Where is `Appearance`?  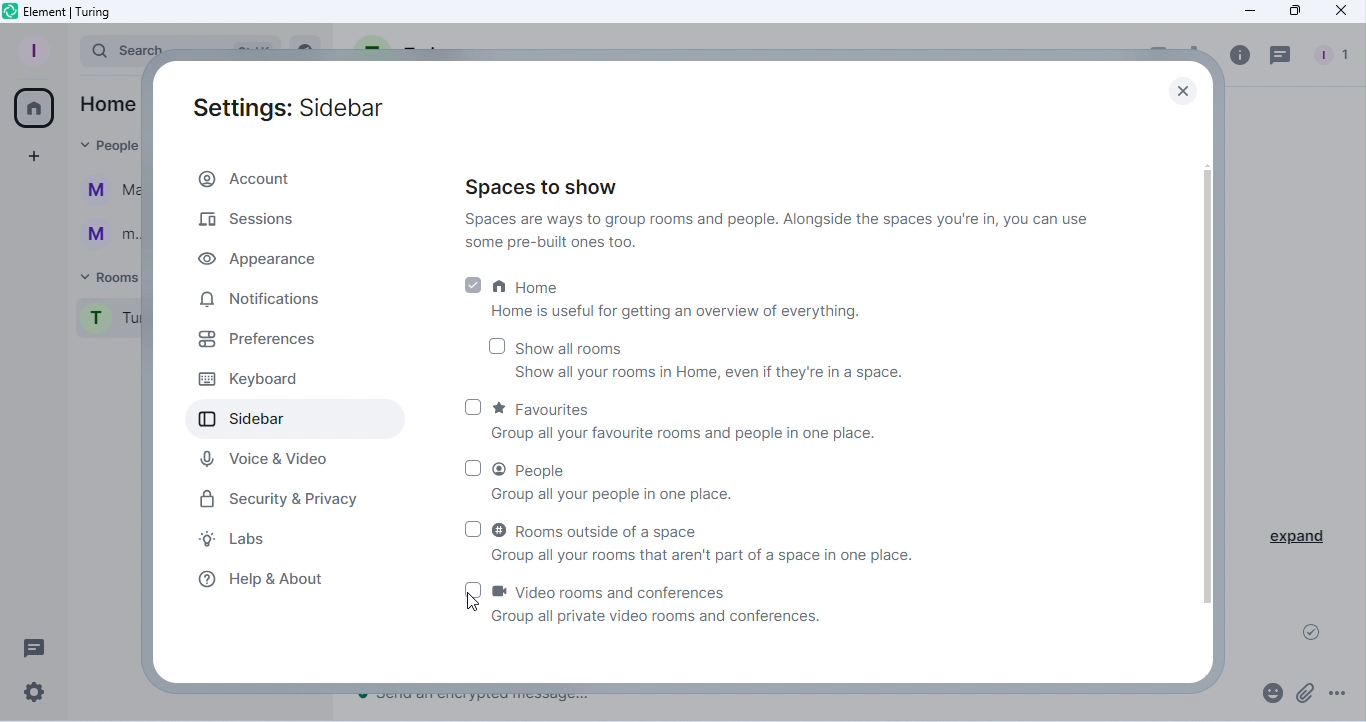
Appearance is located at coordinates (255, 259).